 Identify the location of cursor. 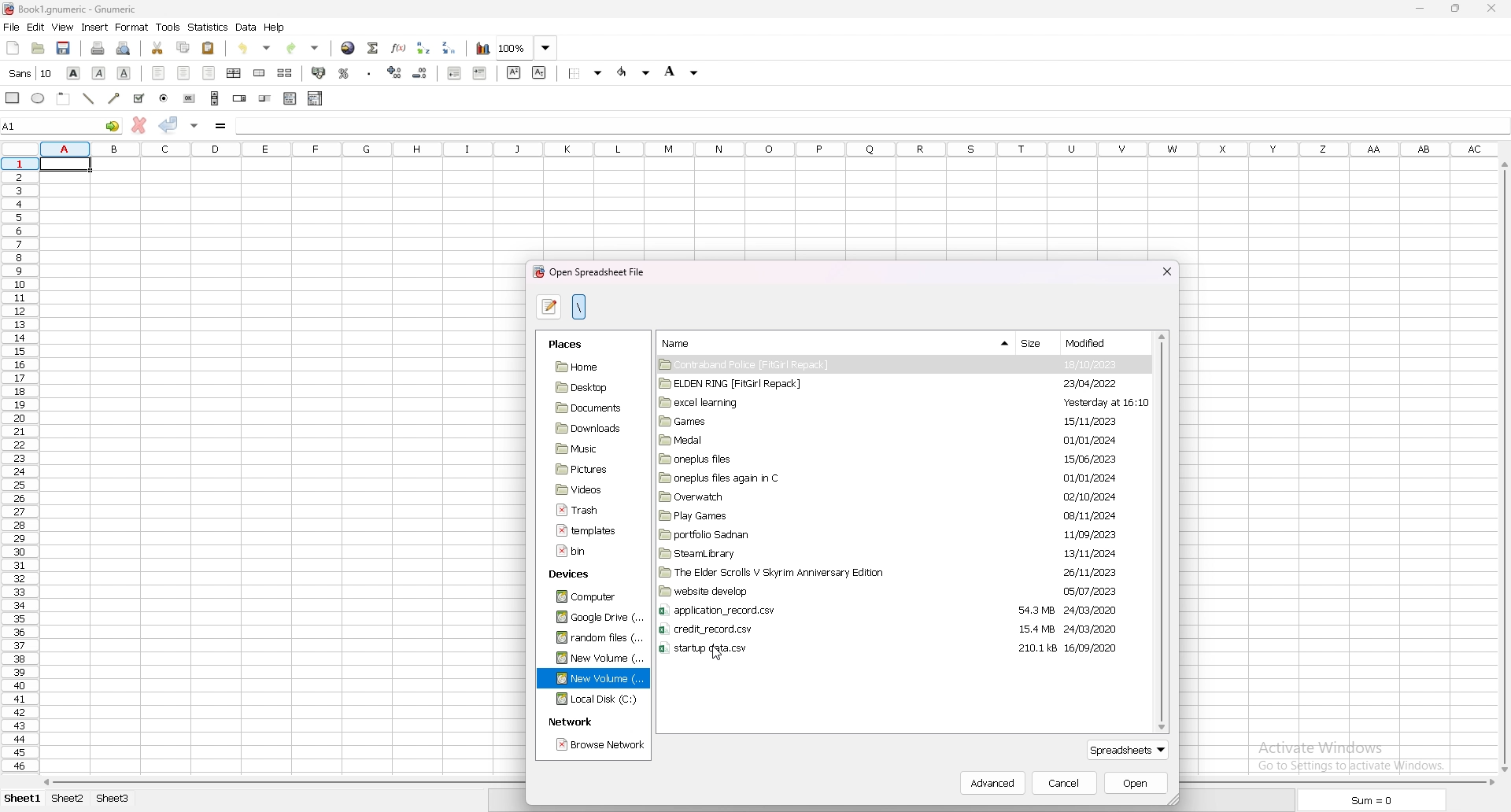
(713, 661).